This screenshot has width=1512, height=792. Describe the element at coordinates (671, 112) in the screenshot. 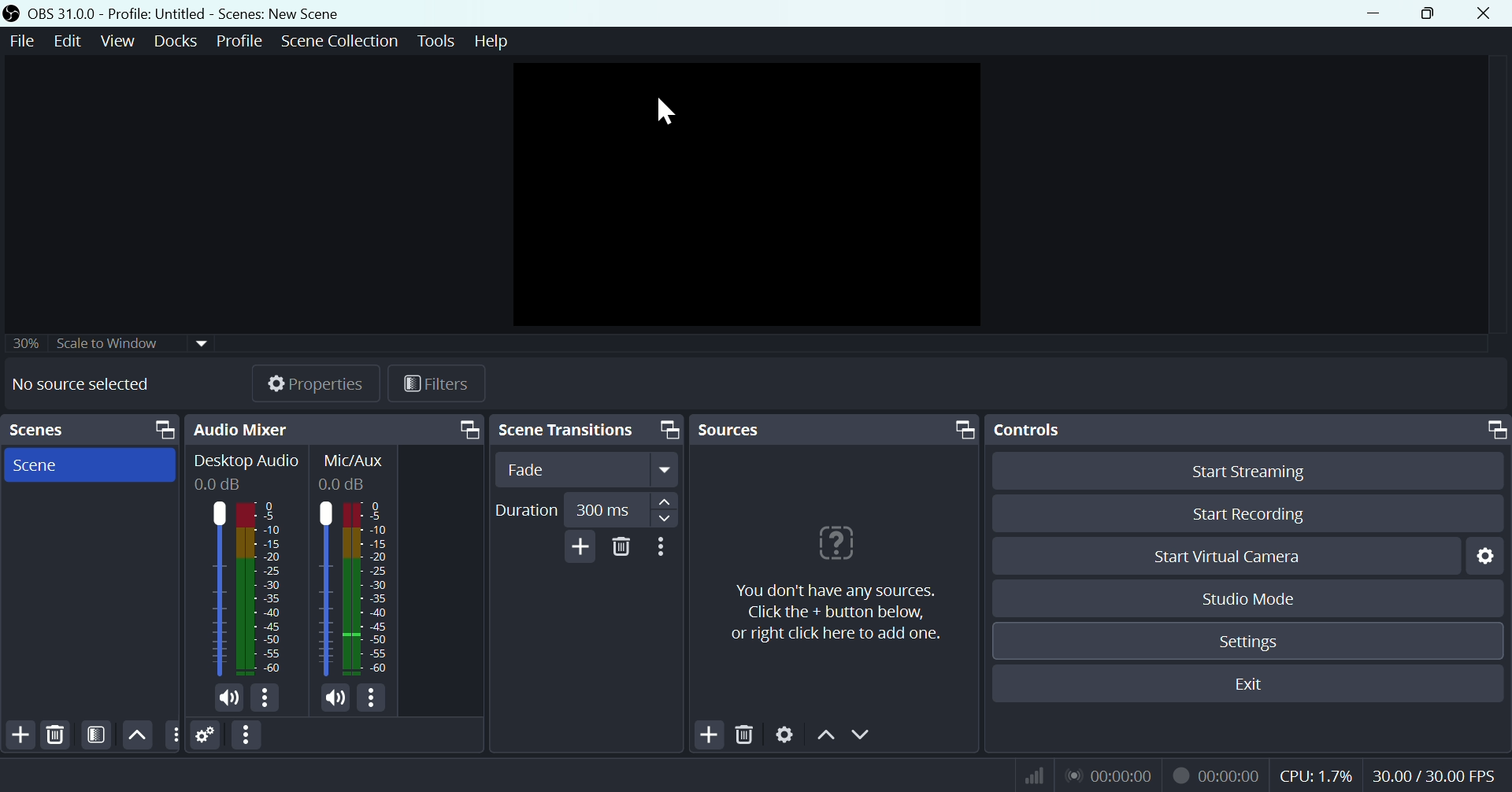

I see `Cursor` at that location.